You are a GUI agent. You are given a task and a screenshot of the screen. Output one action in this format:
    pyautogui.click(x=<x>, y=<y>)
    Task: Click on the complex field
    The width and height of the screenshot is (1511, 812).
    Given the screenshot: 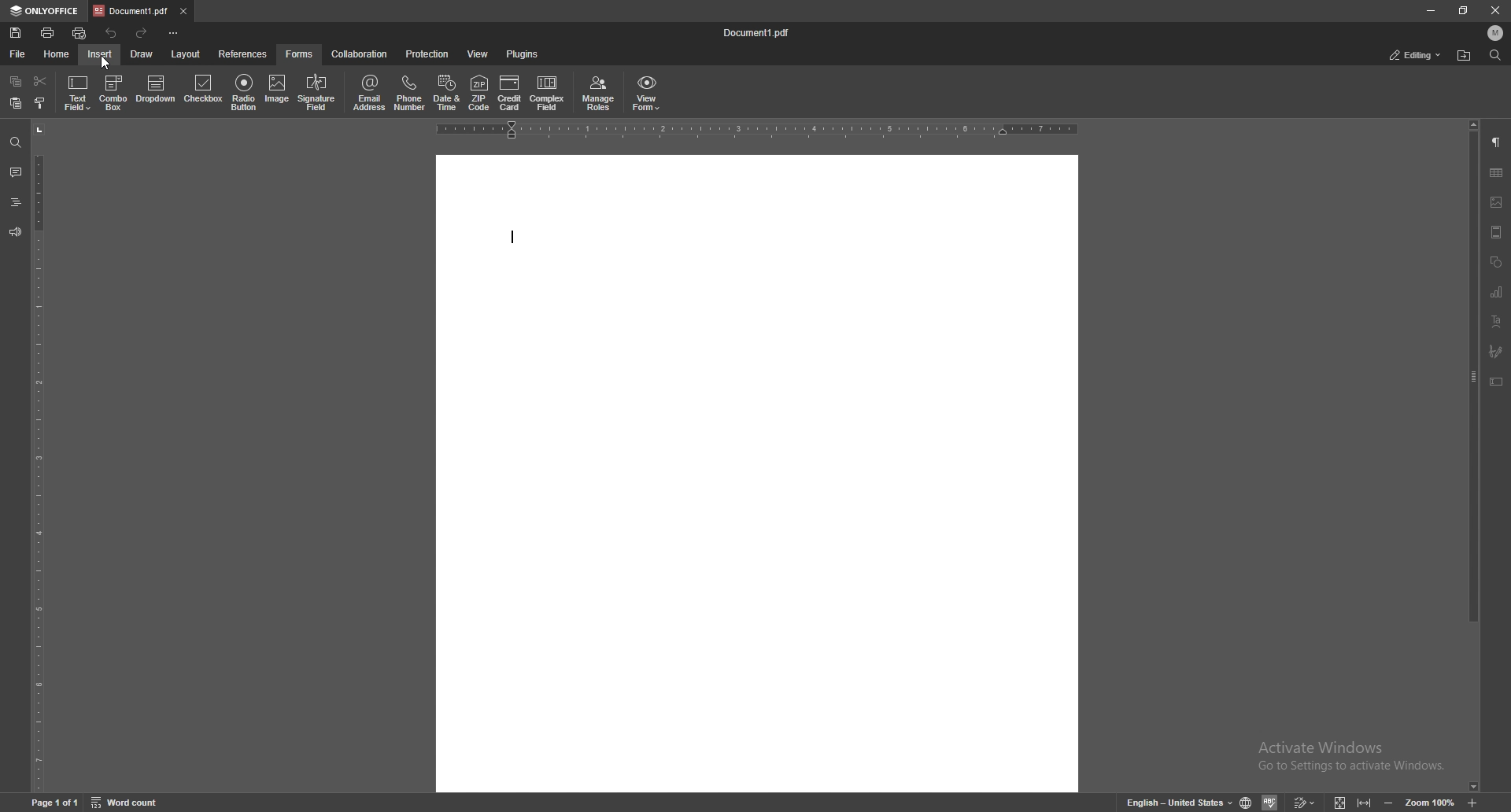 What is the action you would take?
    pyautogui.click(x=548, y=94)
    